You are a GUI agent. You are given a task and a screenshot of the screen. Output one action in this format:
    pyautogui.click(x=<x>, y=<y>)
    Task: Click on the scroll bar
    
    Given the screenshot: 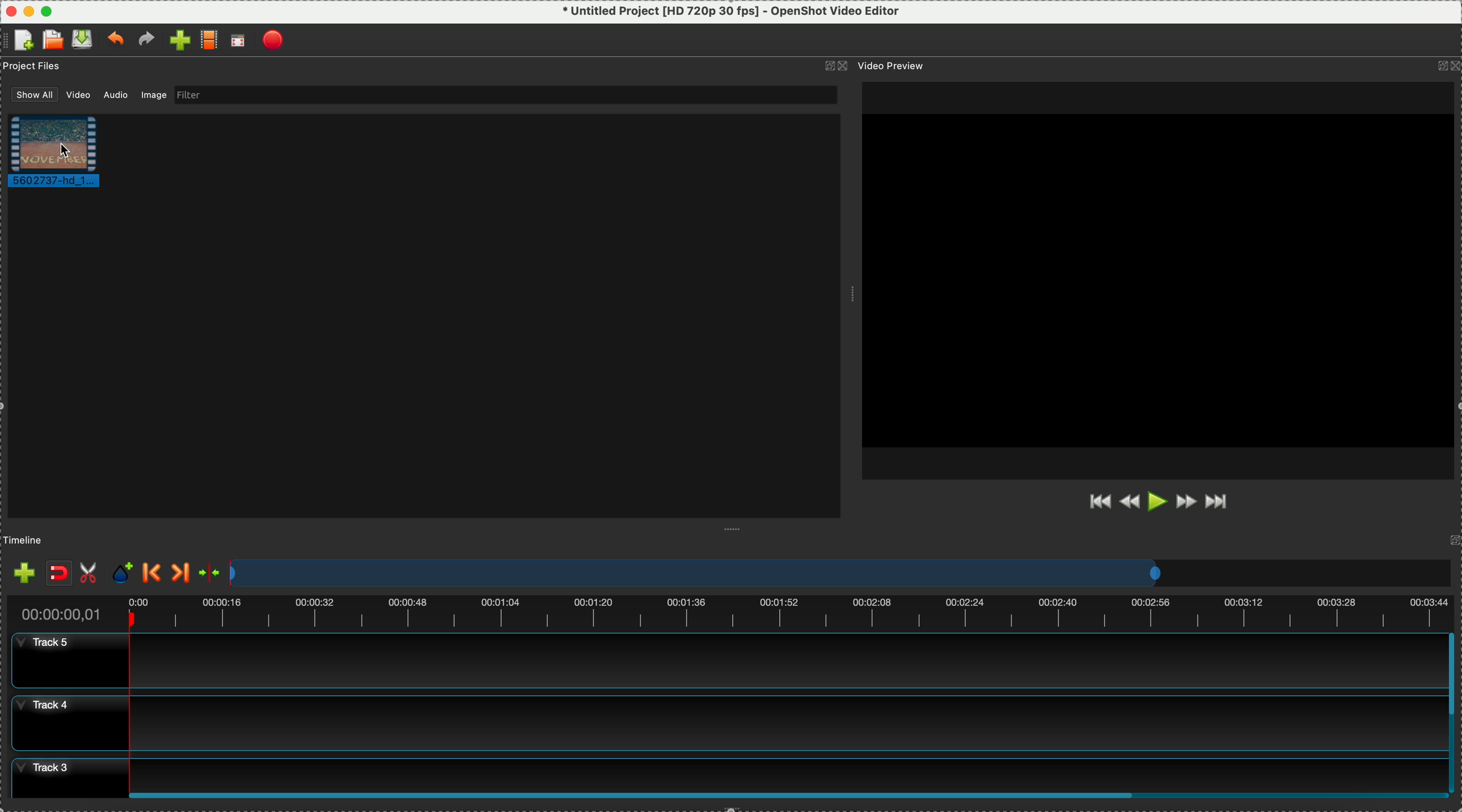 What is the action you would take?
    pyautogui.click(x=1453, y=710)
    